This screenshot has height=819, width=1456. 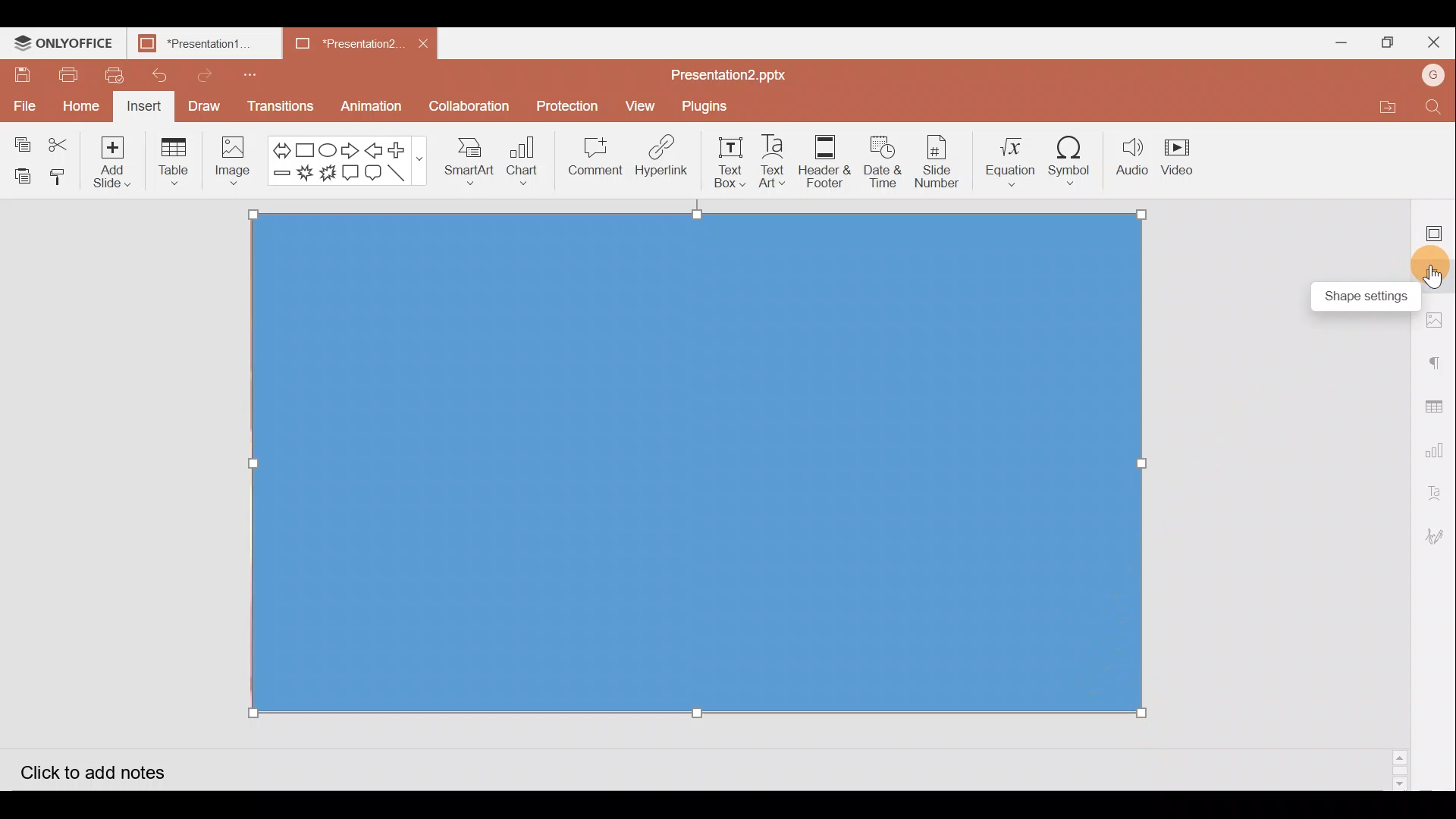 What do you see at coordinates (1360, 296) in the screenshot?
I see `Slide settings` at bounding box center [1360, 296].